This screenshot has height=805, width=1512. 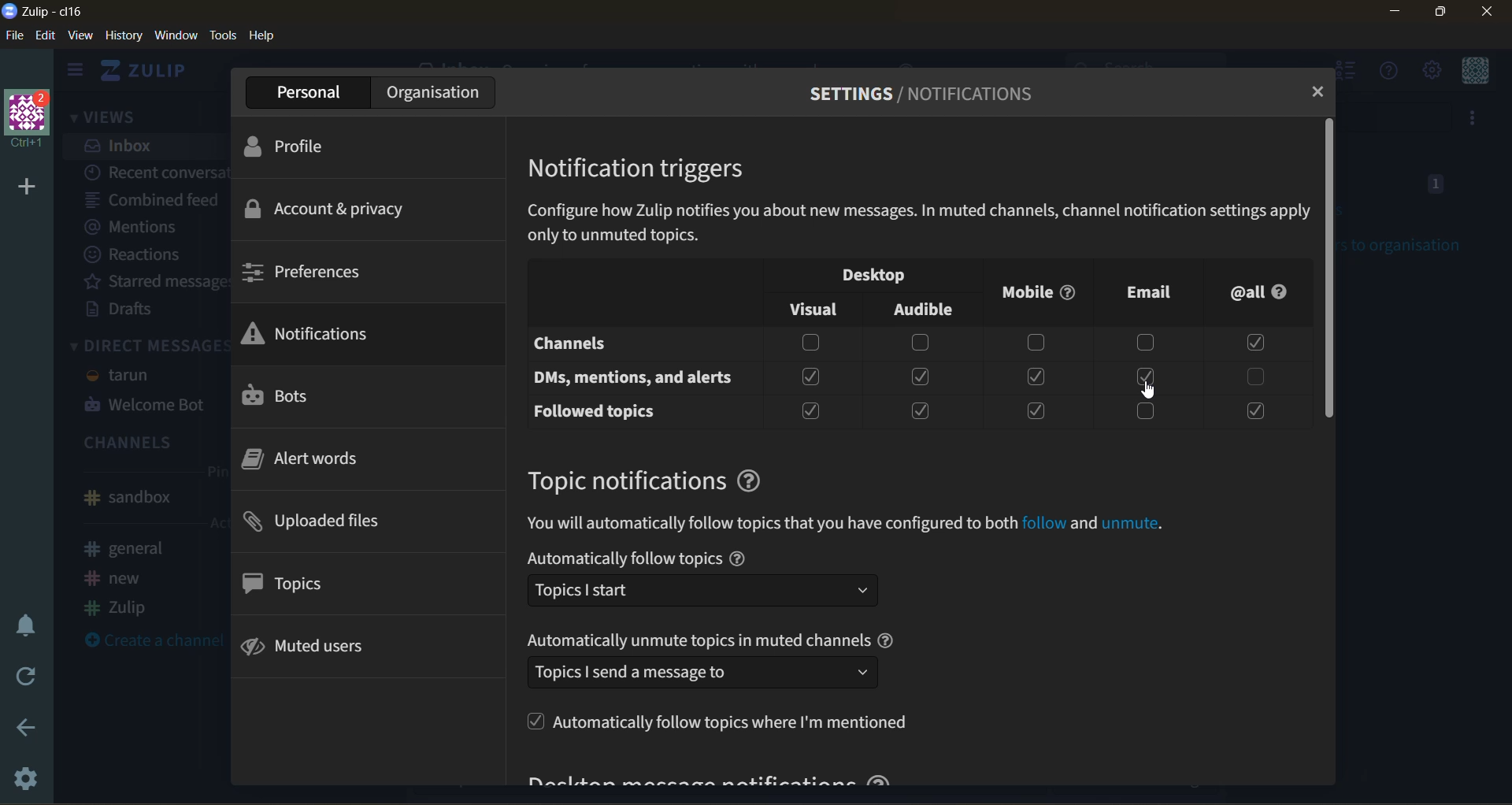 What do you see at coordinates (301, 93) in the screenshot?
I see `personal` at bounding box center [301, 93].